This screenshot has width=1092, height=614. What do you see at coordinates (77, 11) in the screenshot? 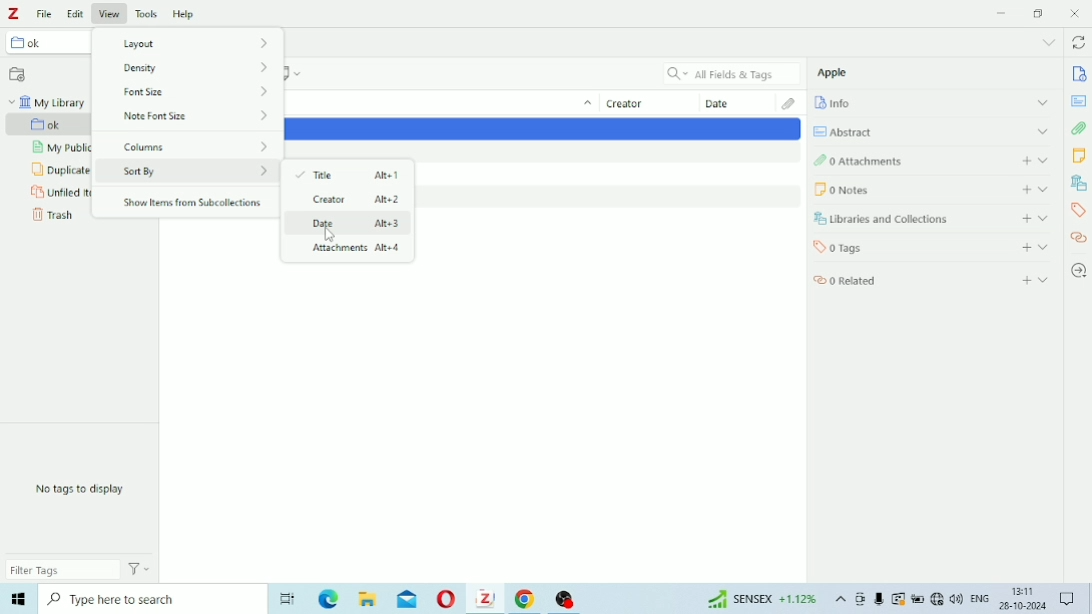
I see `Edit` at bounding box center [77, 11].